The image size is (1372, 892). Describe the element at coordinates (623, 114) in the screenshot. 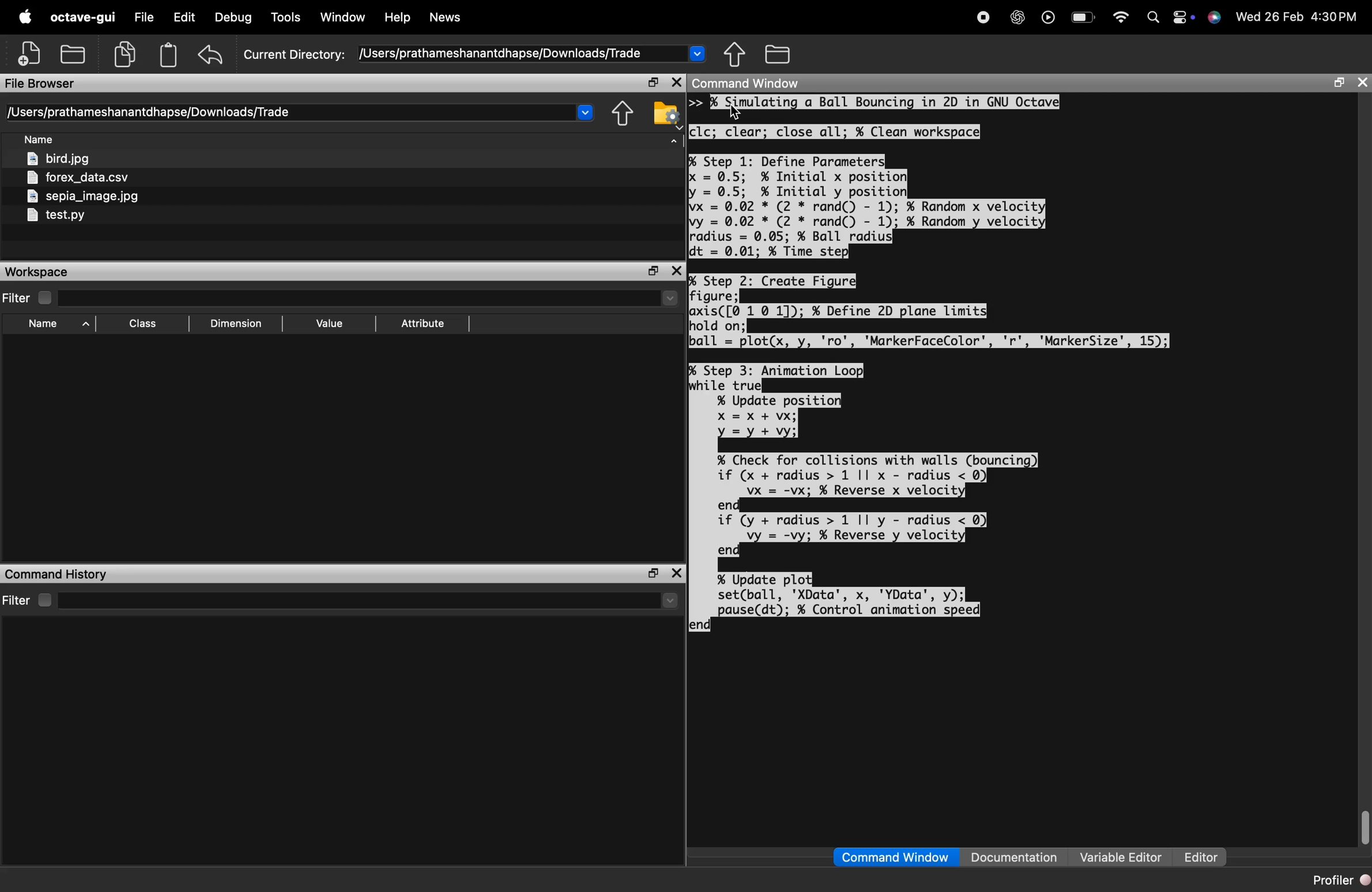

I see `share` at that location.